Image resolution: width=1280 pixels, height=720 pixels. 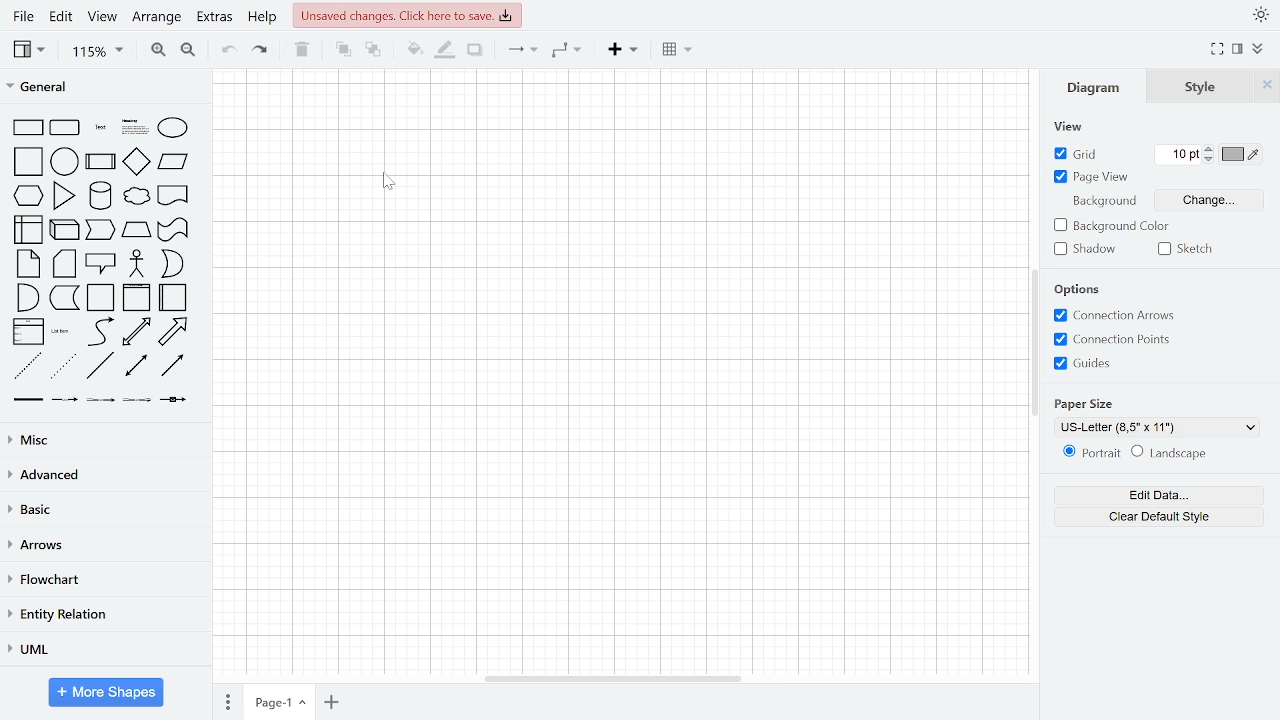 What do you see at coordinates (101, 474) in the screenshot?
I see `advanced` at bounding box center [101, 474].